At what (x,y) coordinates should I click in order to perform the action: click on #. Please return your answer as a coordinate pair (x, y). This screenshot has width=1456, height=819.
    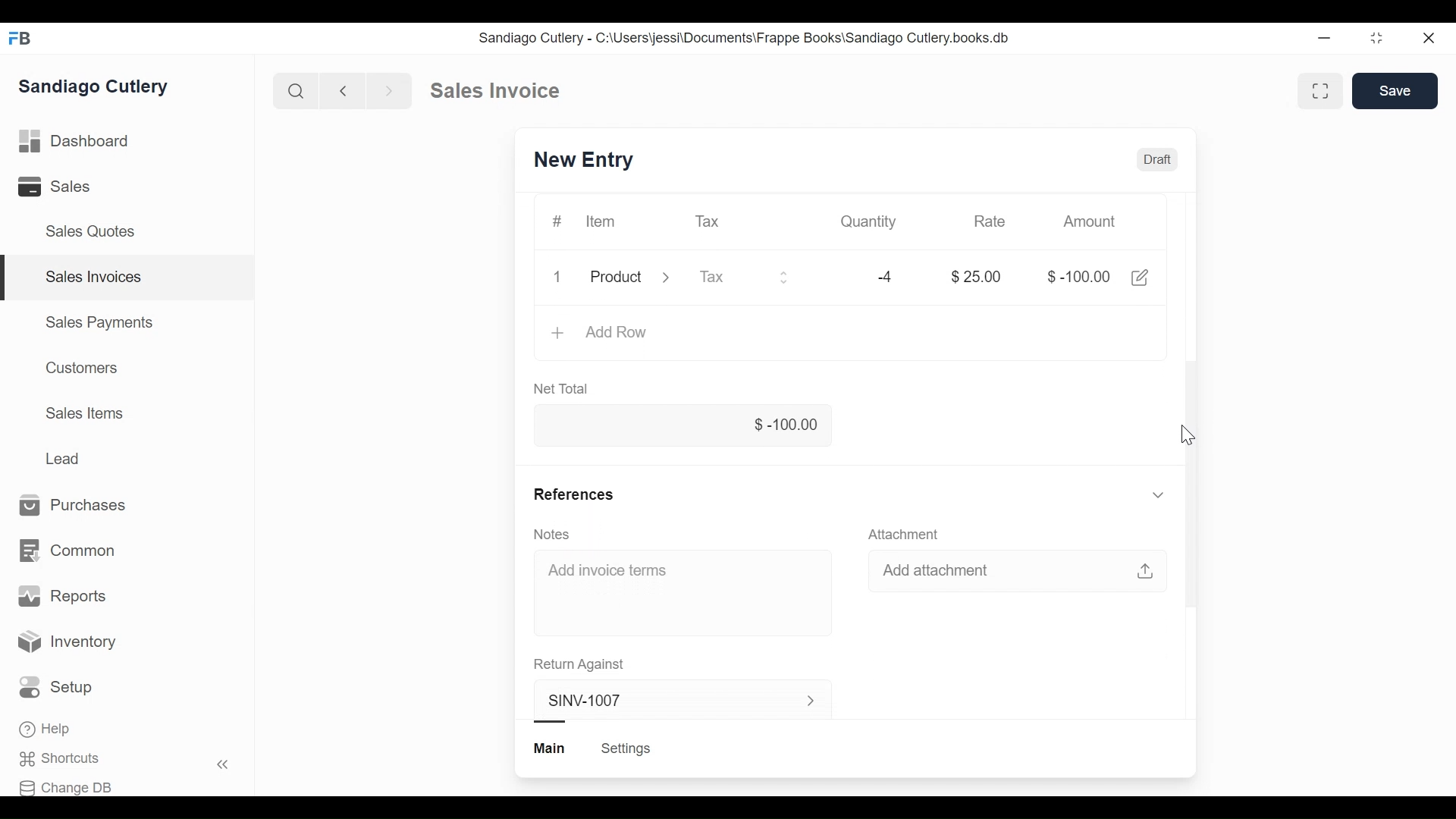
    Looking at the image, I should click on (556, 221).